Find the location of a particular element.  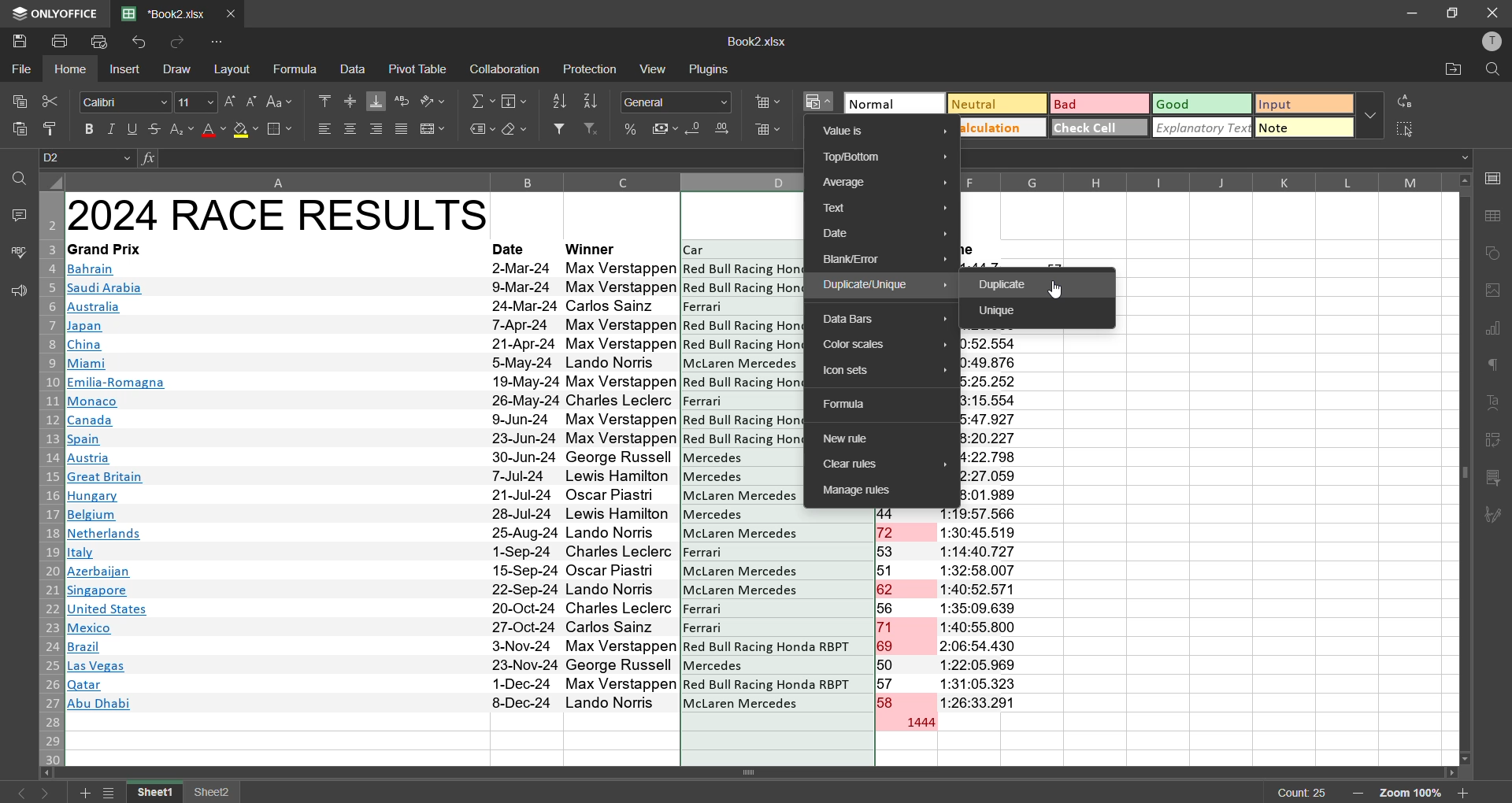

open location is located at coordinates (1450, 72).